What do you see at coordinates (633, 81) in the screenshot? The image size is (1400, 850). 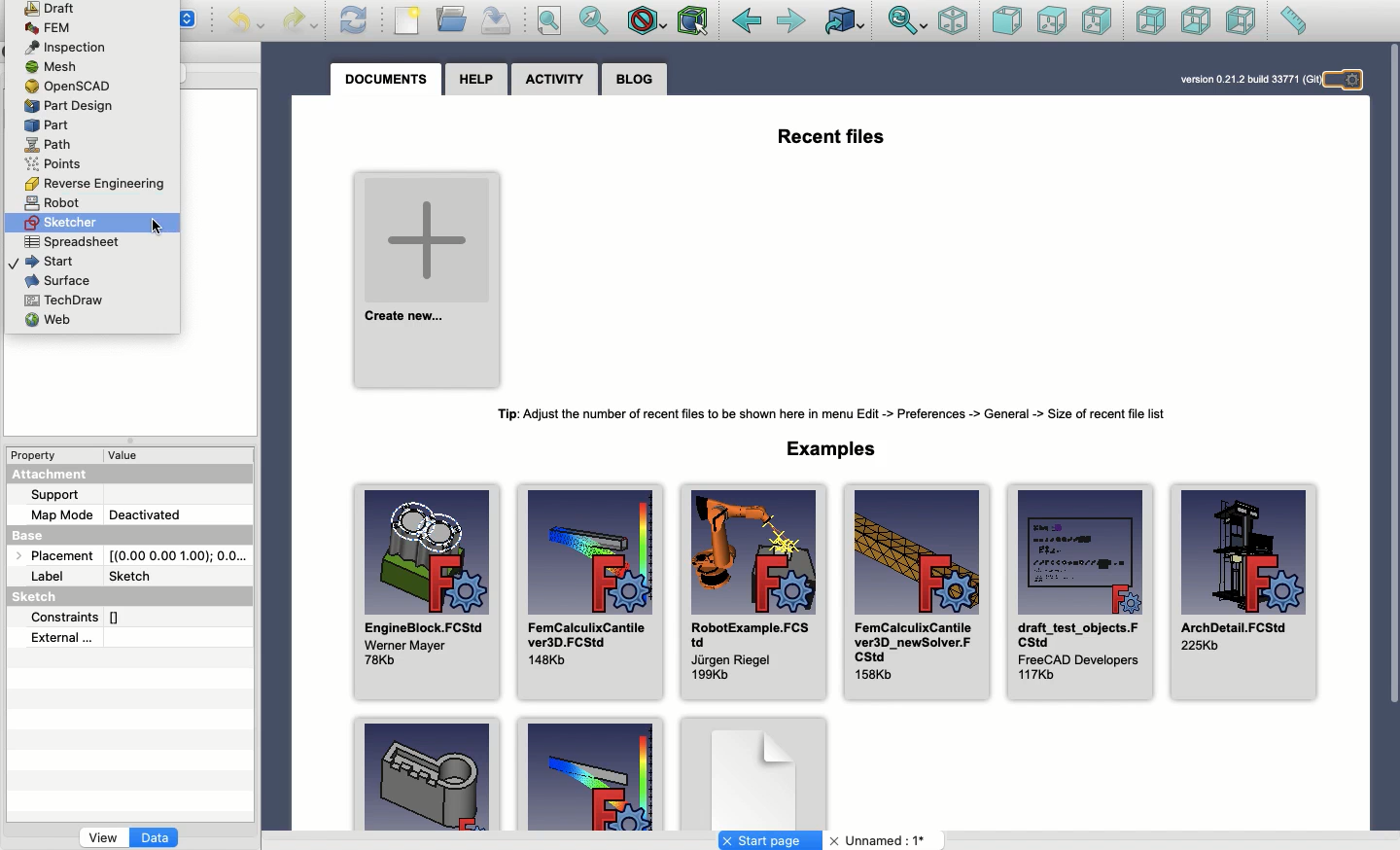 I see `Blog` at bounding box center [633, 81].